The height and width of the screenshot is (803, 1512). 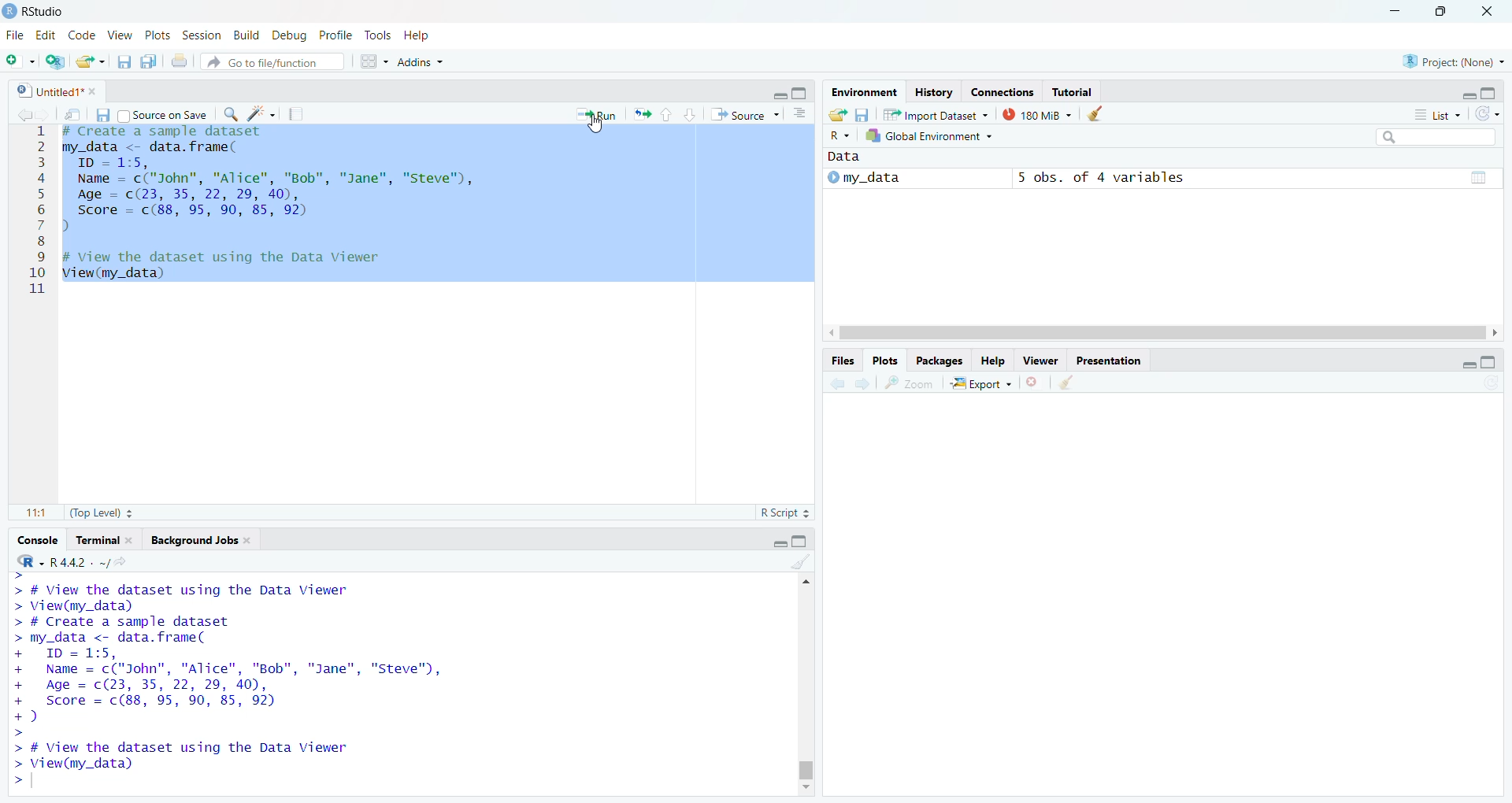 I want to click on Page down, so click(x=691, y=115).